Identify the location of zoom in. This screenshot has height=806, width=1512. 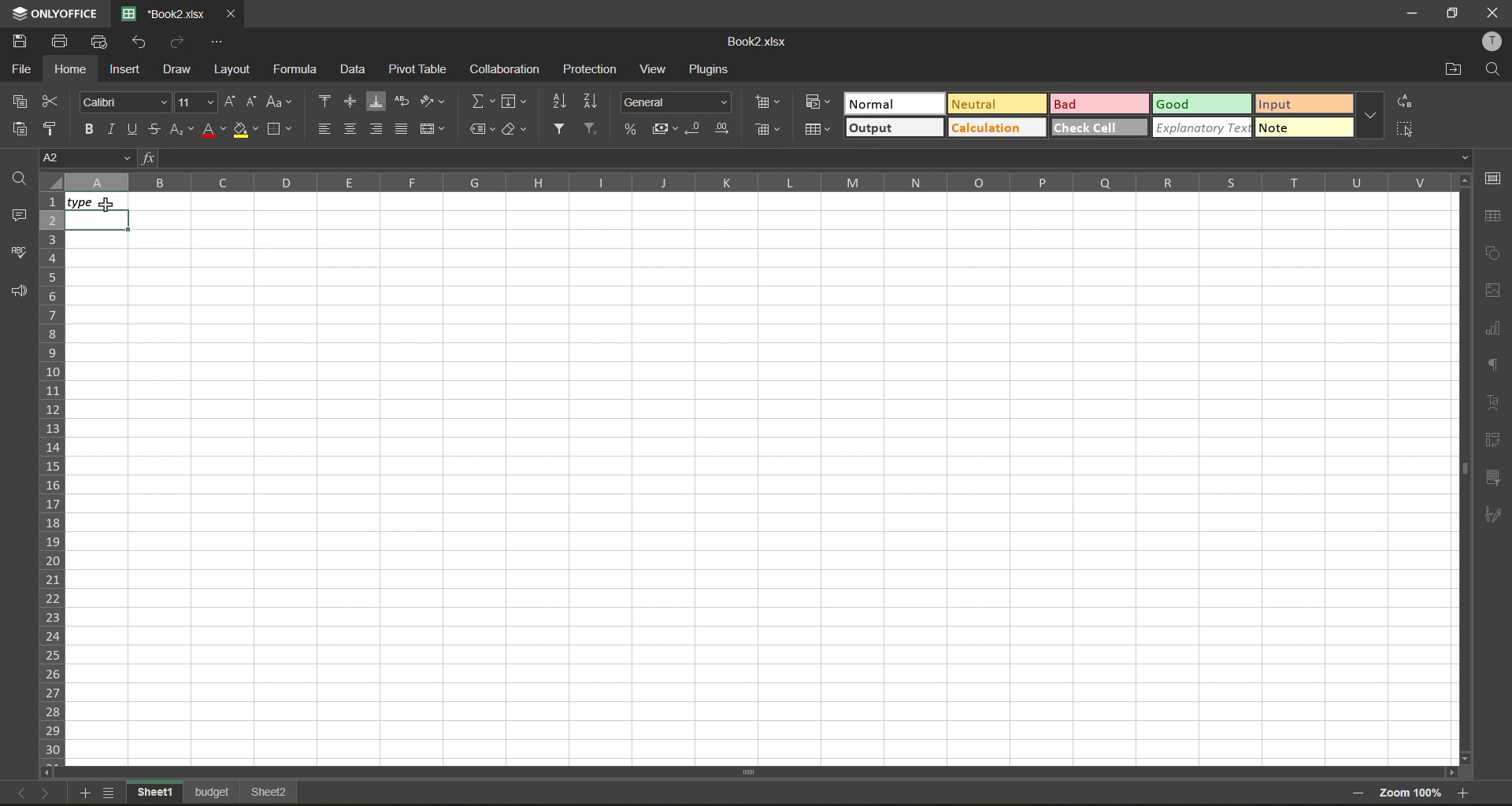
(1467, 793).